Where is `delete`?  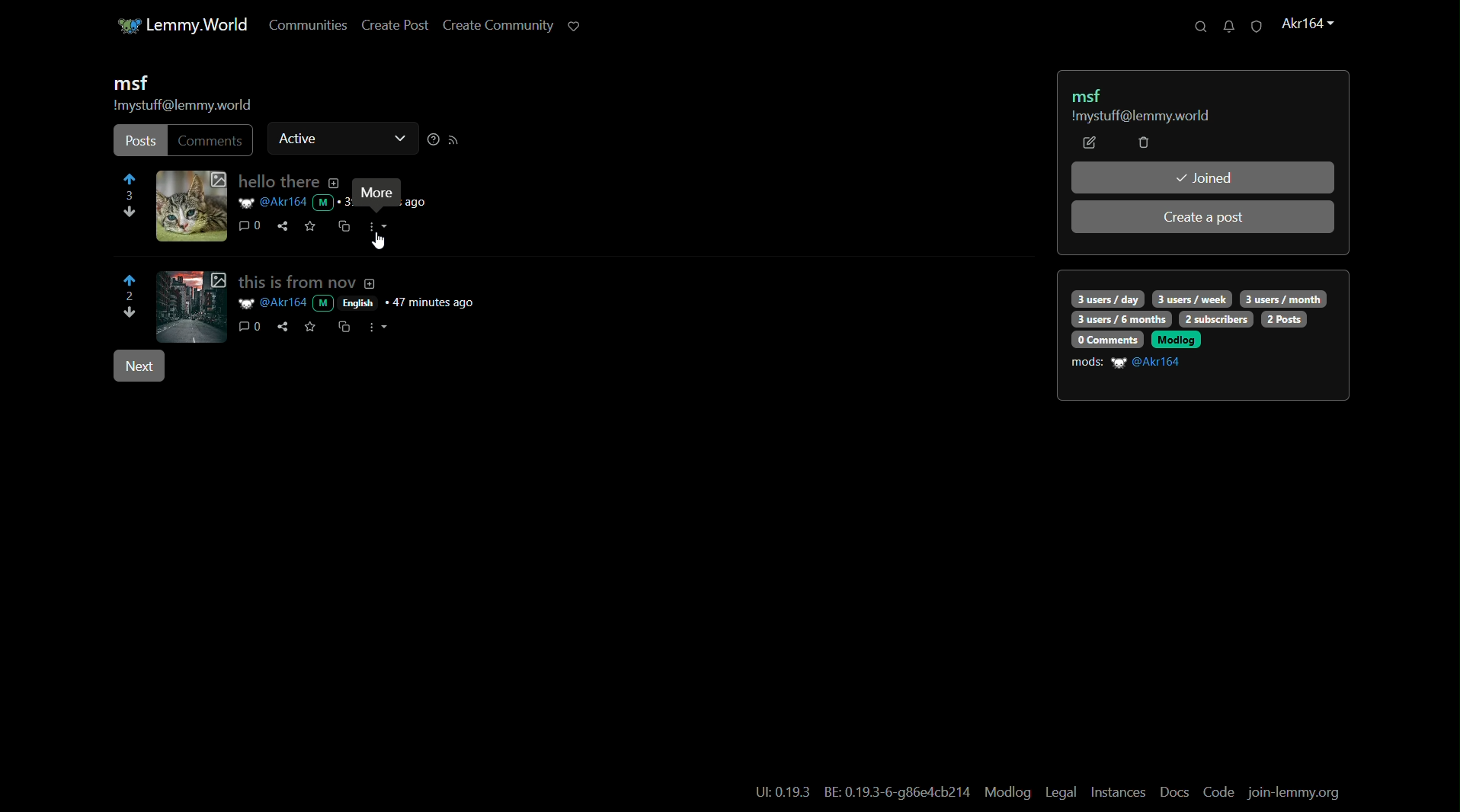
delete is located at coordinates (1143, 144).